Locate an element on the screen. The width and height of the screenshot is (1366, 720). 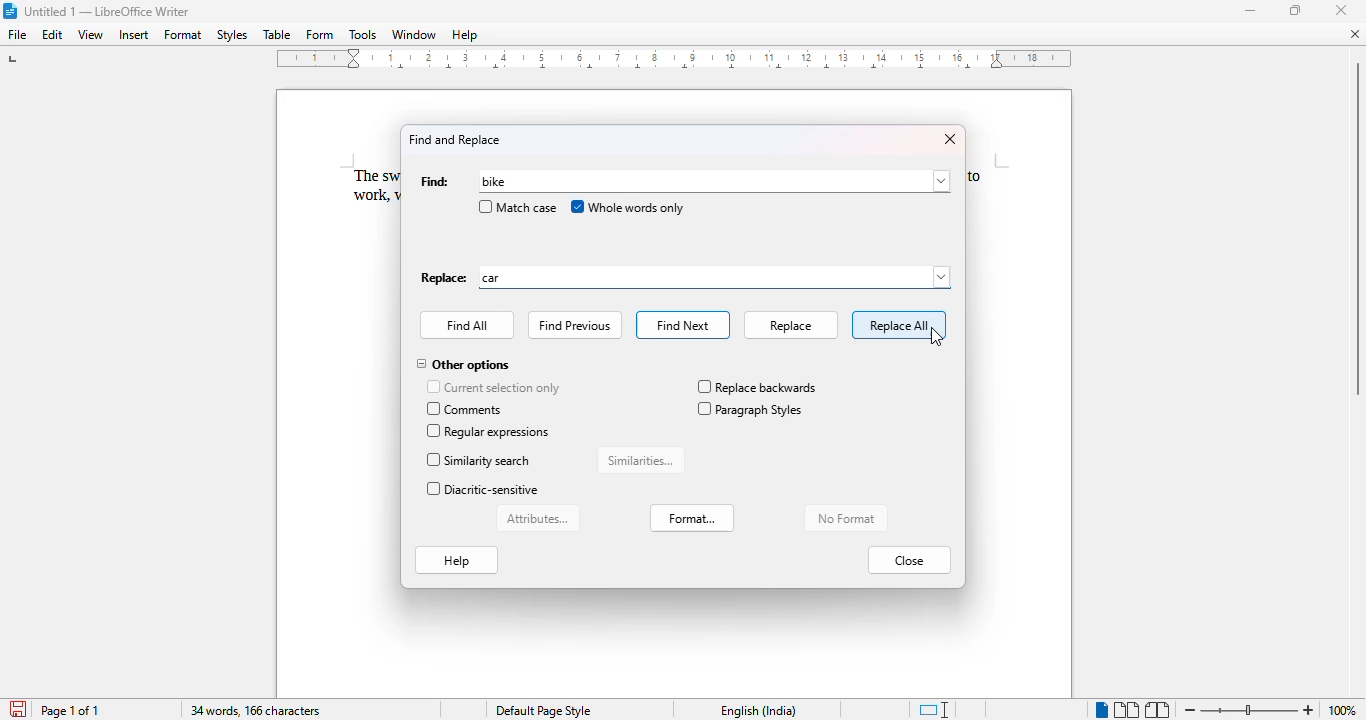
help is located at coordinates (457, 561).